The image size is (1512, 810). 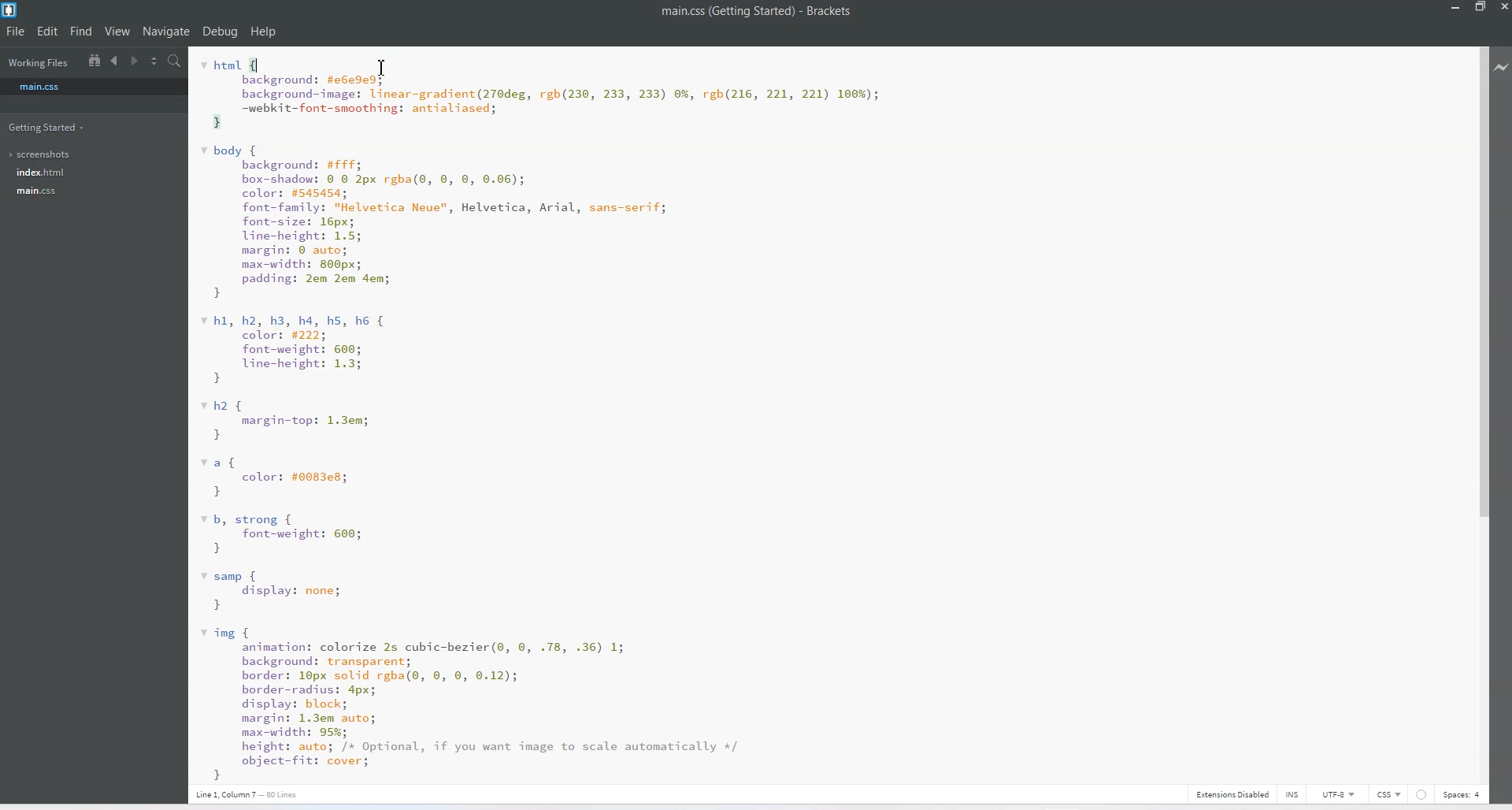 I want to click on main.css, so click(x=94, y=87).